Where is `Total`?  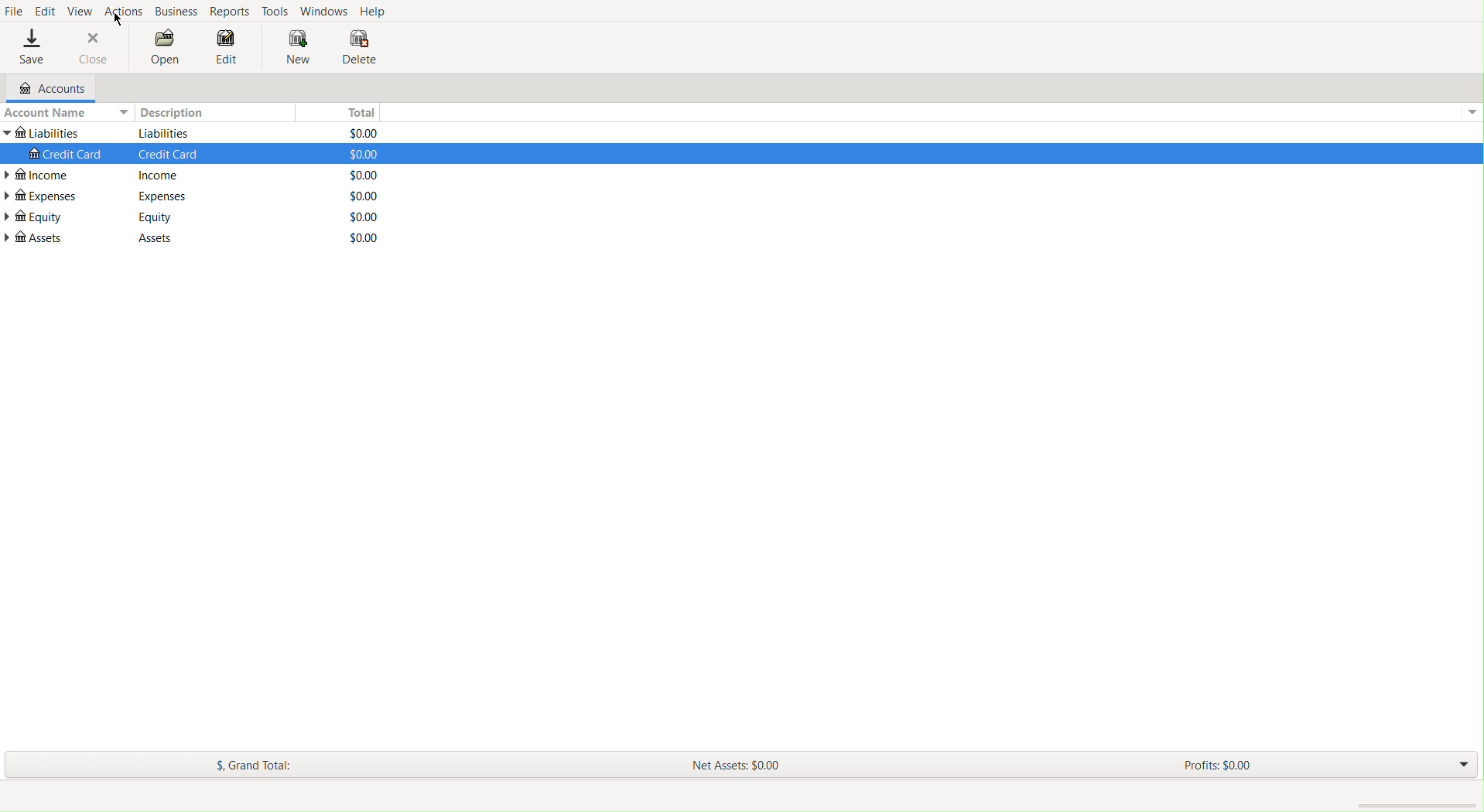
Total is located at coordinates (365, 155).